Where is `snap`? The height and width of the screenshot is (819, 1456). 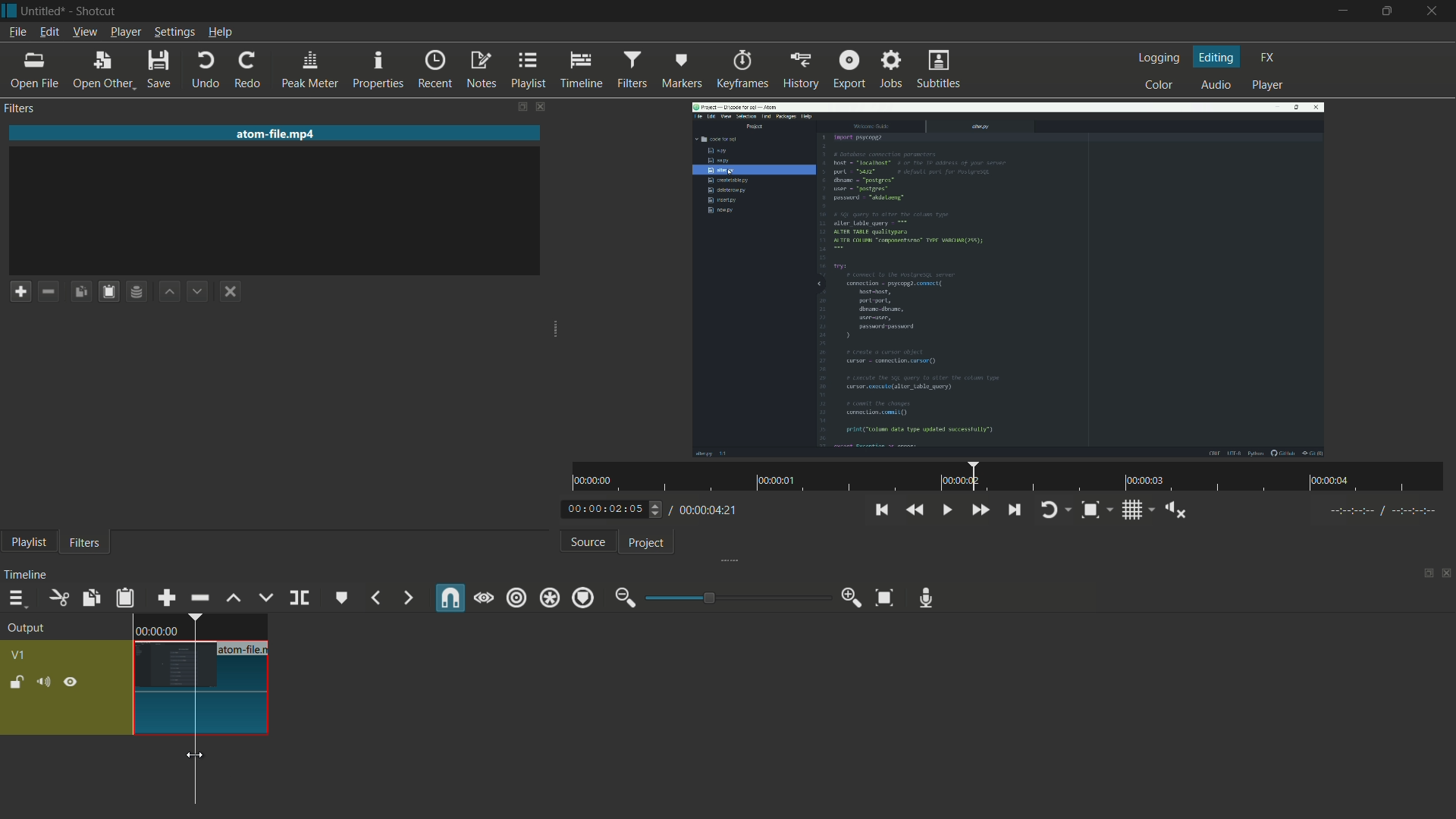 snap is located at coordinates (450, 598).